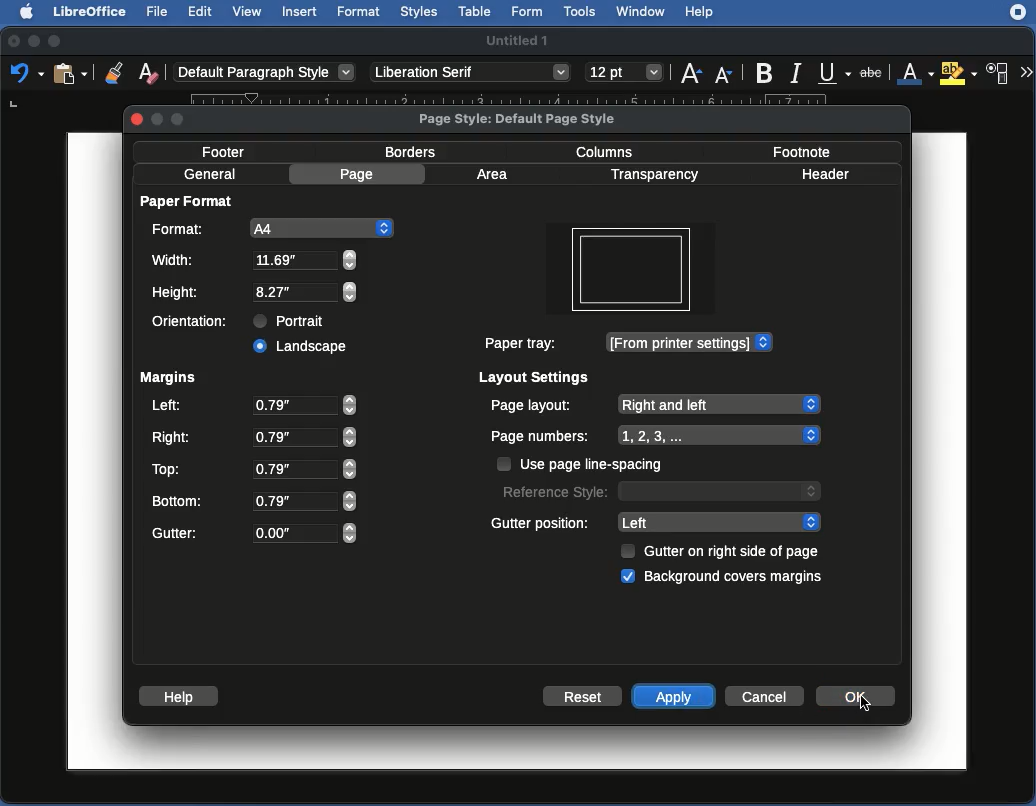 The image size is (1036, 806). Describe the element at coordinates (855, 694) in the screenshot. I see `Click ok` at that location.